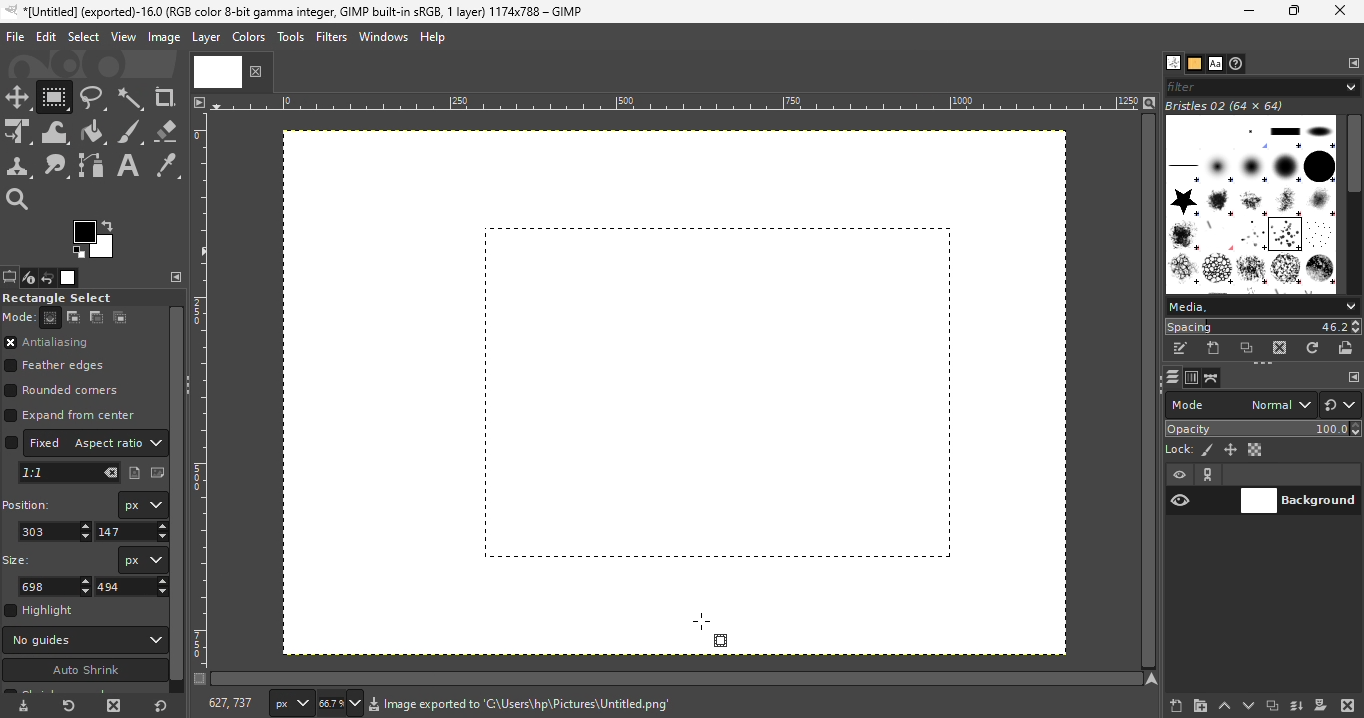 This screenshot has height=718, width=1364. I want to click on Layers, so click(1171, 377).